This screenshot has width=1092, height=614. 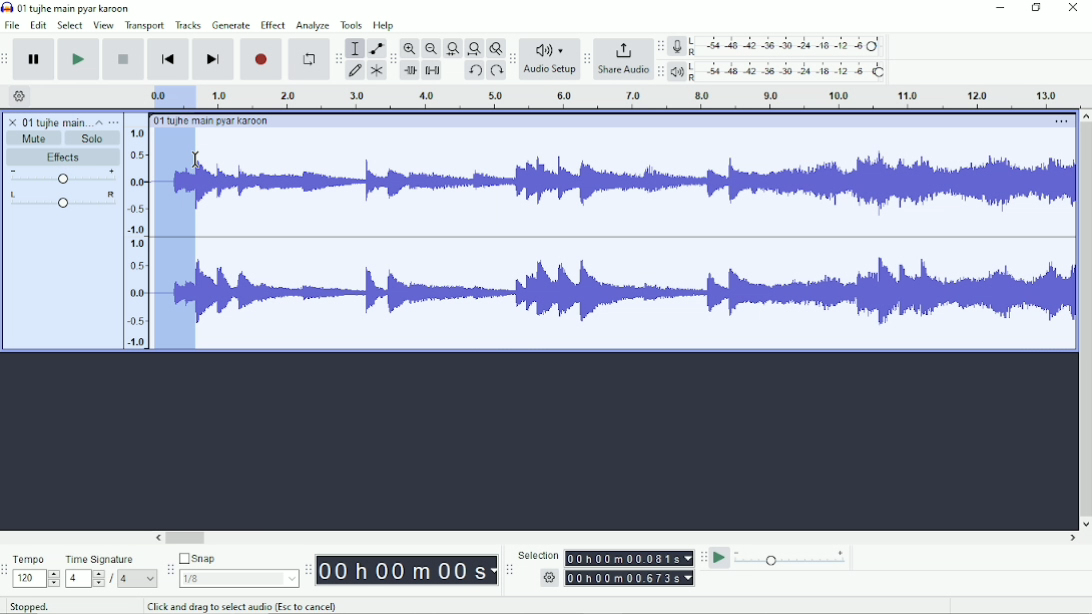 I want to click on cancel logo, so click(x=14, y=122).